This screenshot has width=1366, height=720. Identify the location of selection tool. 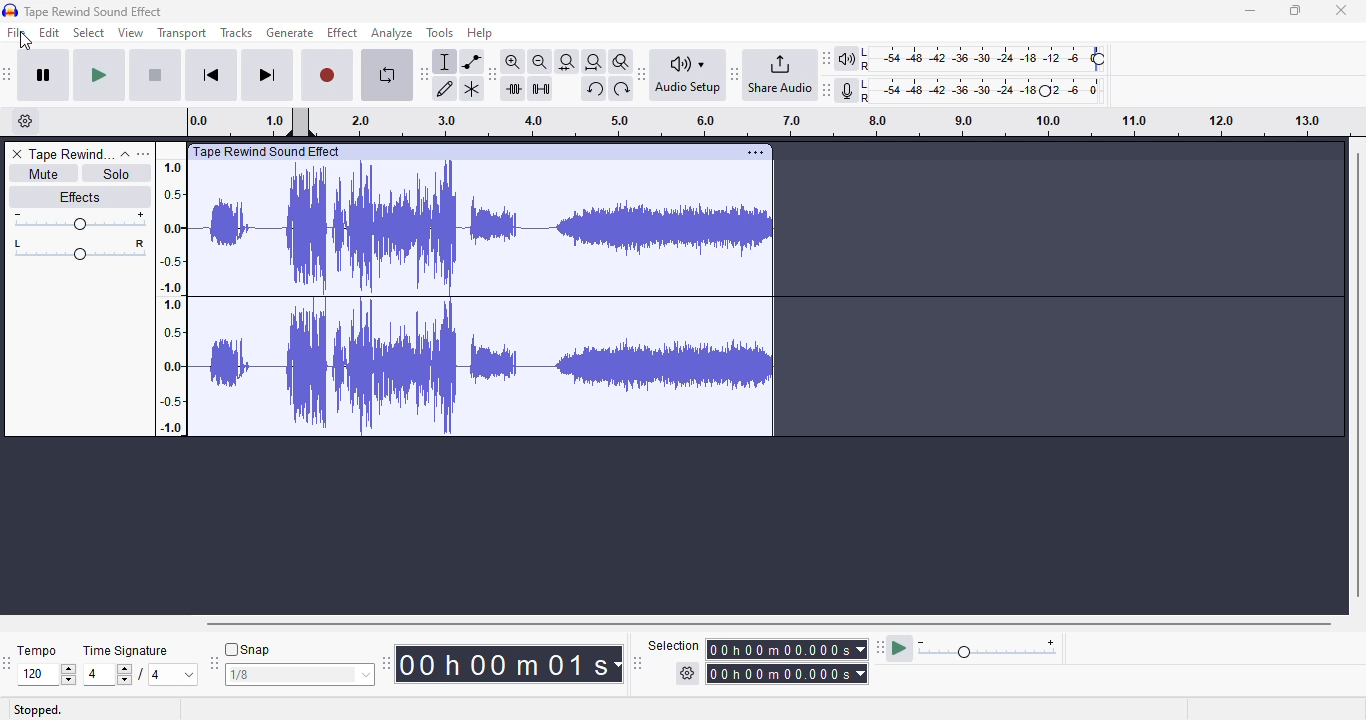
(444, 61).